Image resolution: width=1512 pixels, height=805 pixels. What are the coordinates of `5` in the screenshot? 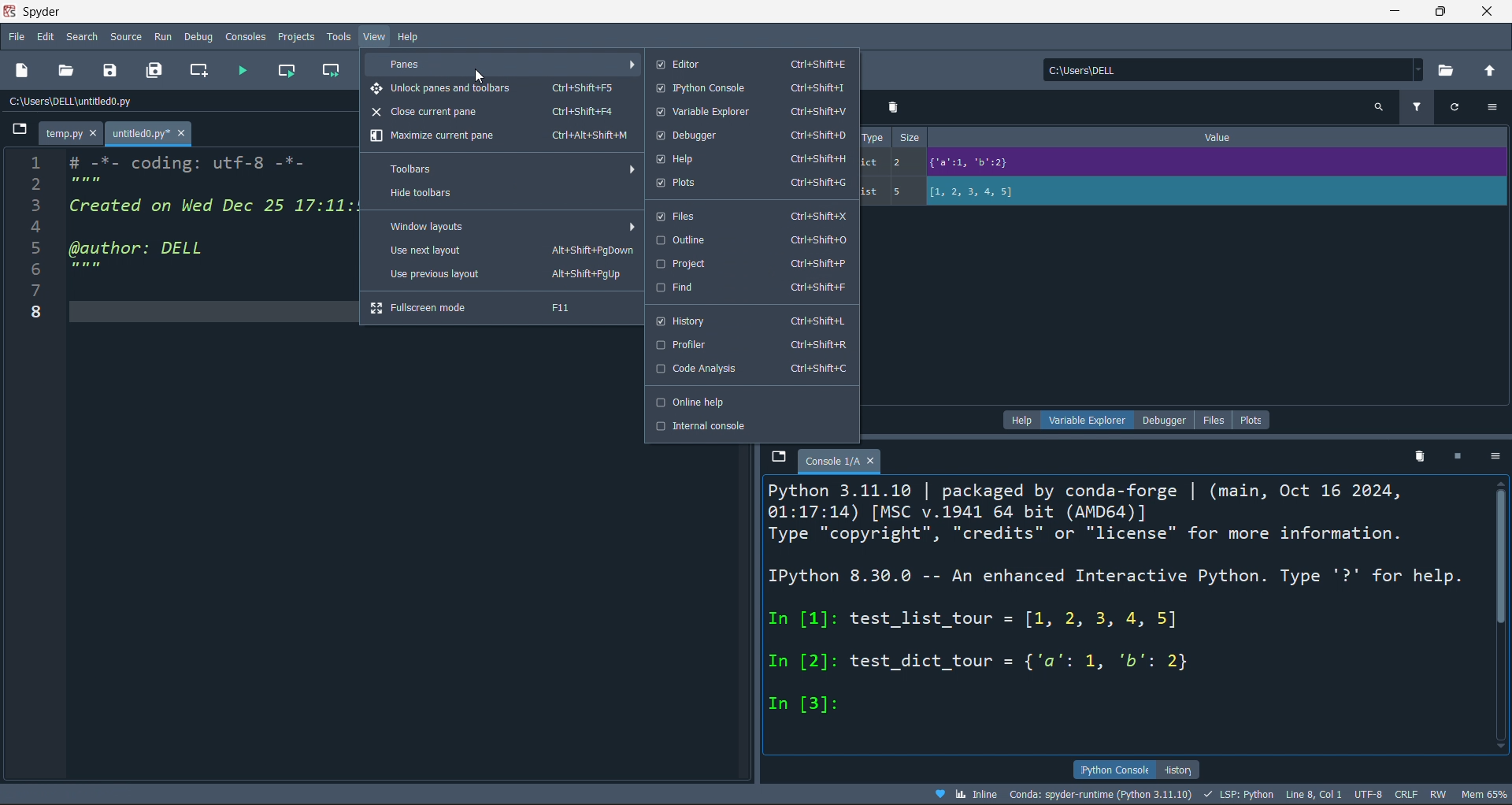 It's located at (902, 191).